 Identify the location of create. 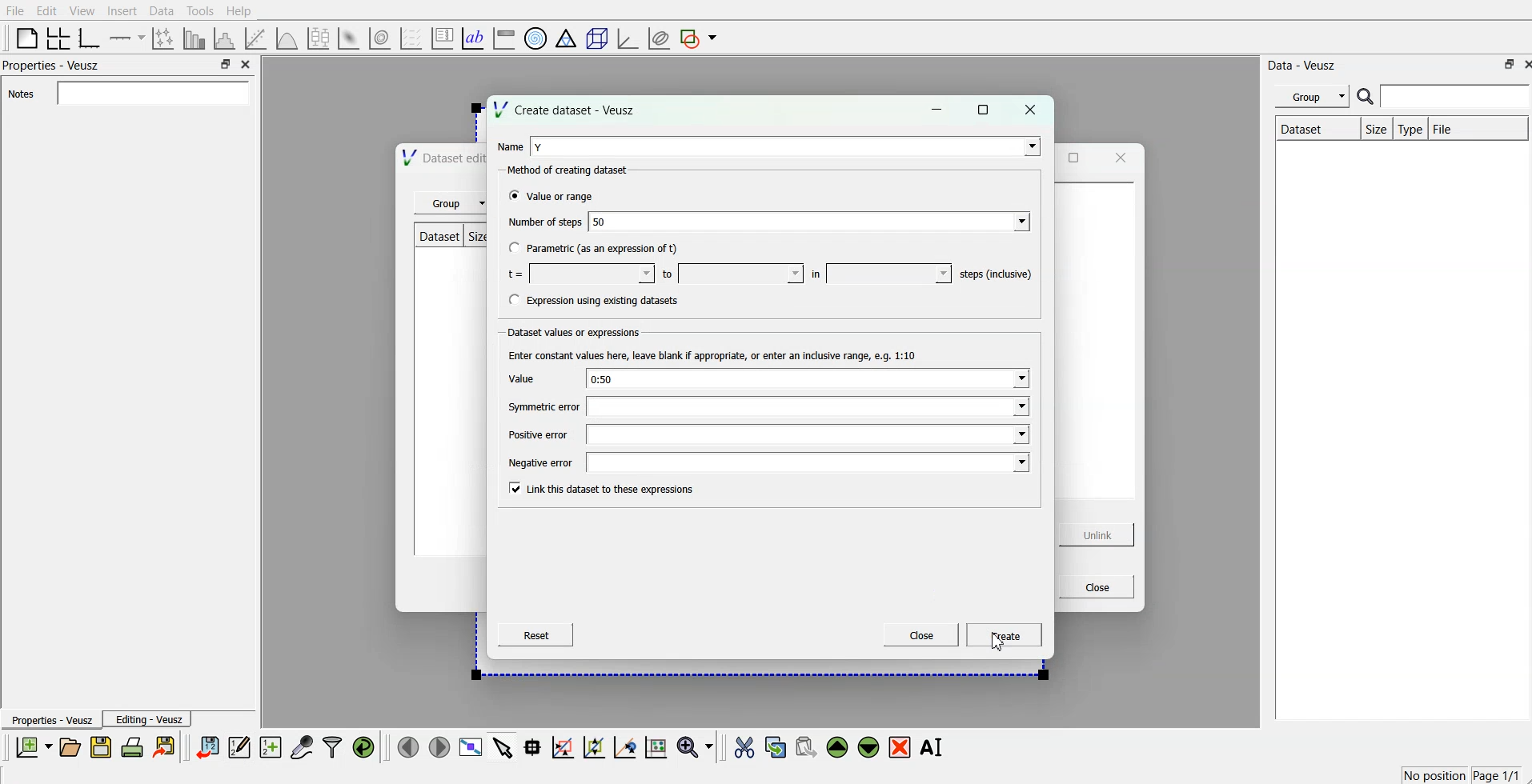
(1006, 636).